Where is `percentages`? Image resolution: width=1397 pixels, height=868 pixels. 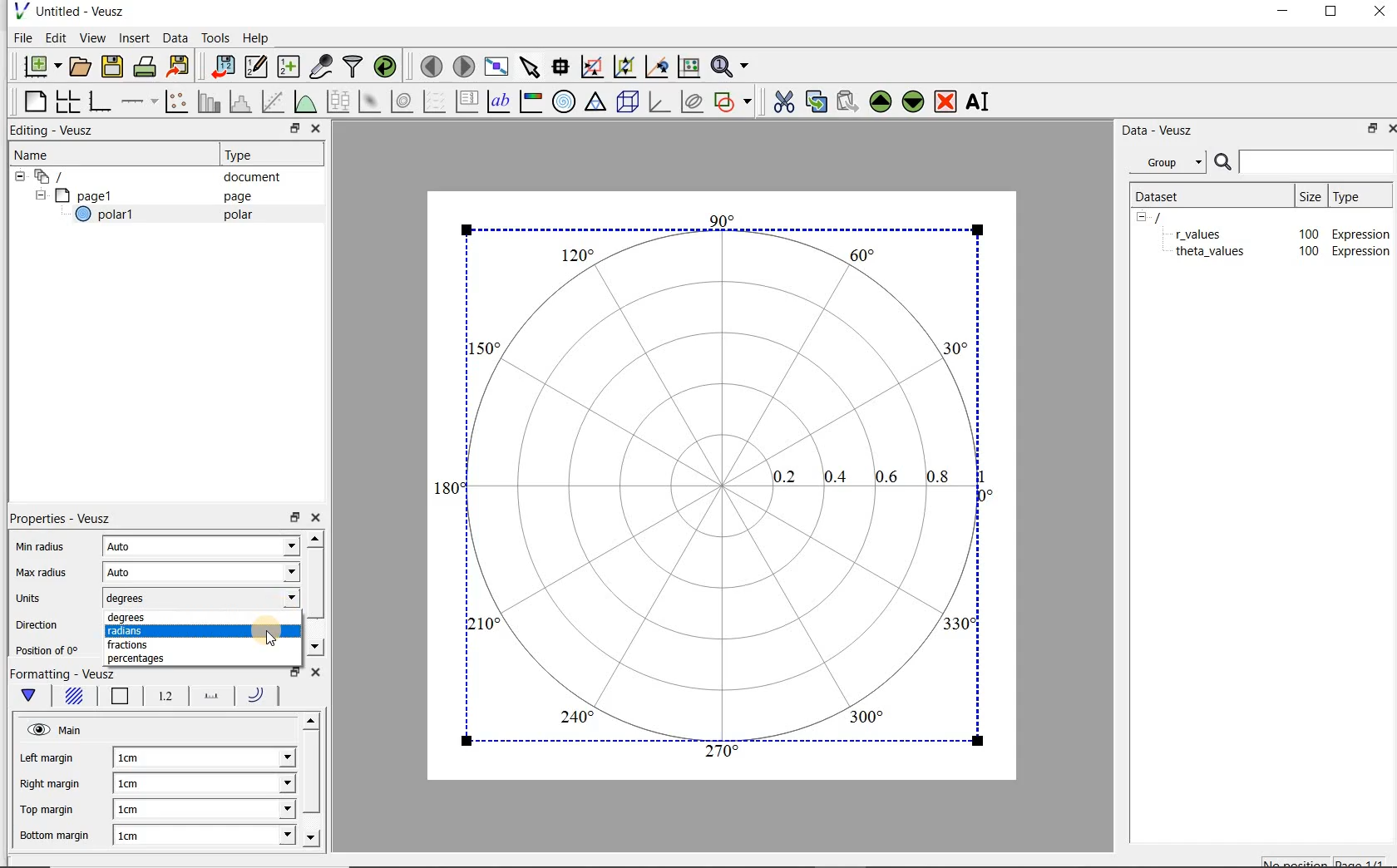
percentages is located at coordinates (136, 657).